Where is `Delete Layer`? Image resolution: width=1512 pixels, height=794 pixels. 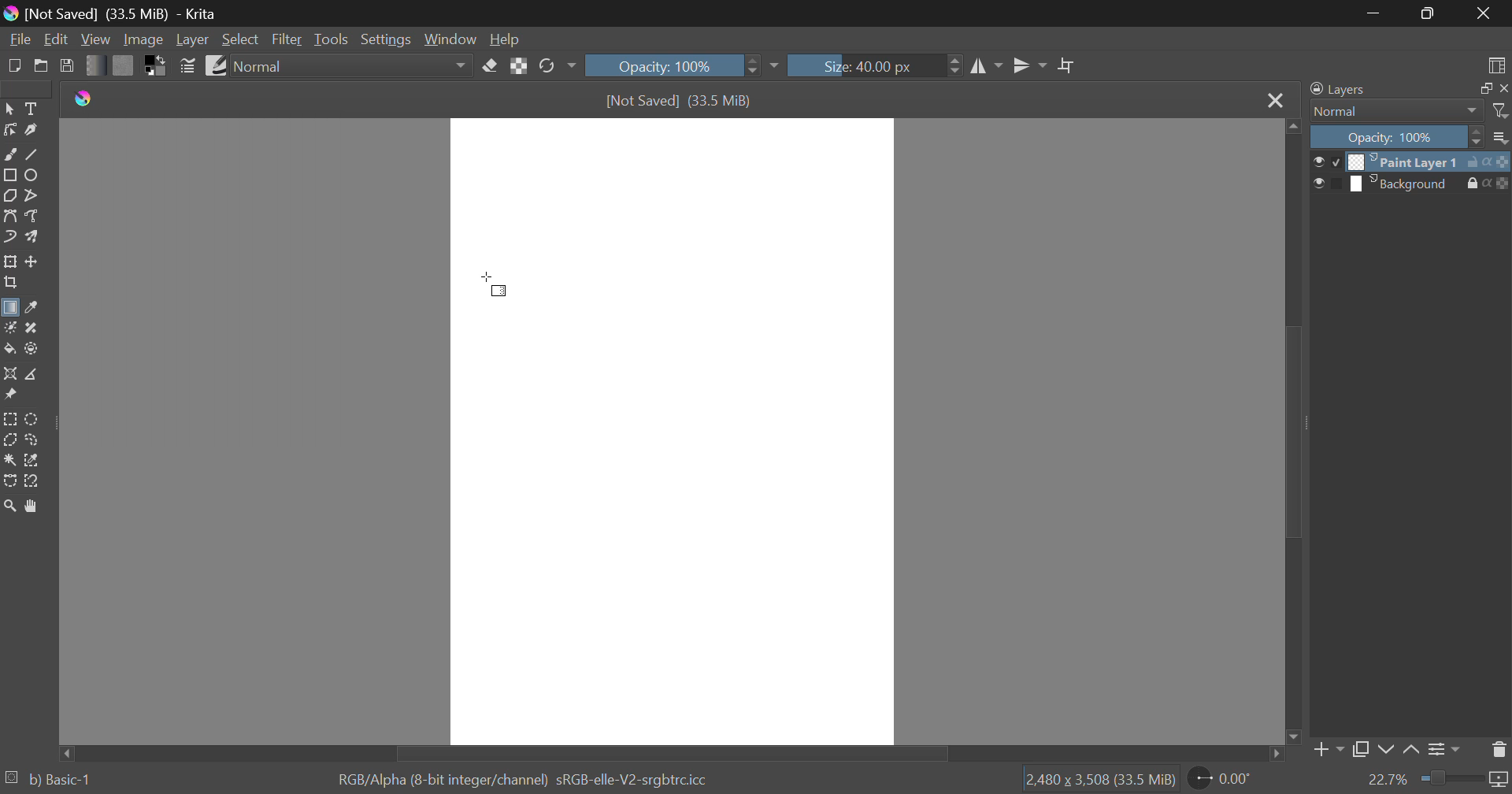 Delete Layer is located at coordinates (1499, 748).